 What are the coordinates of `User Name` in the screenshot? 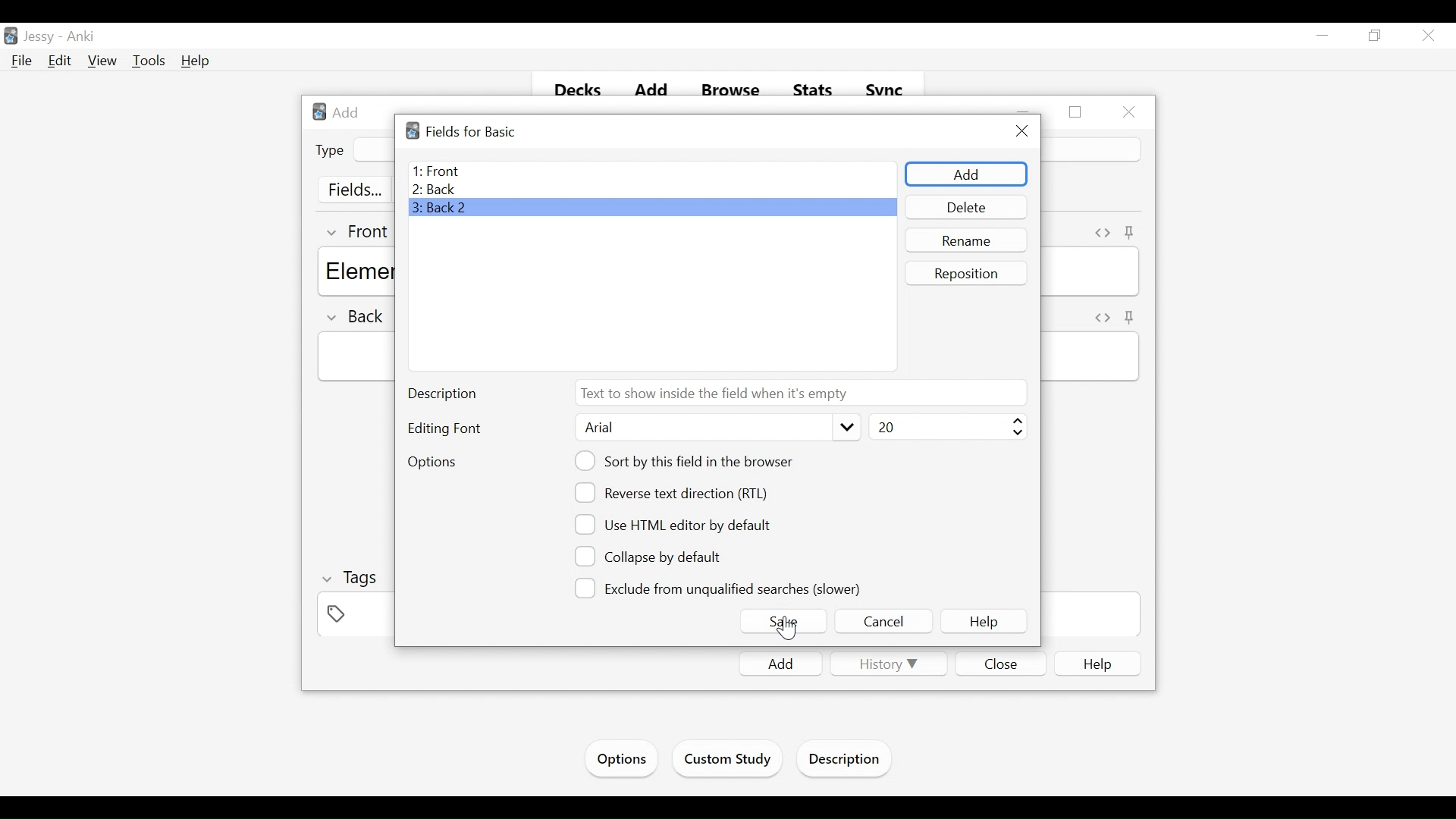 It's located at (42, 37).